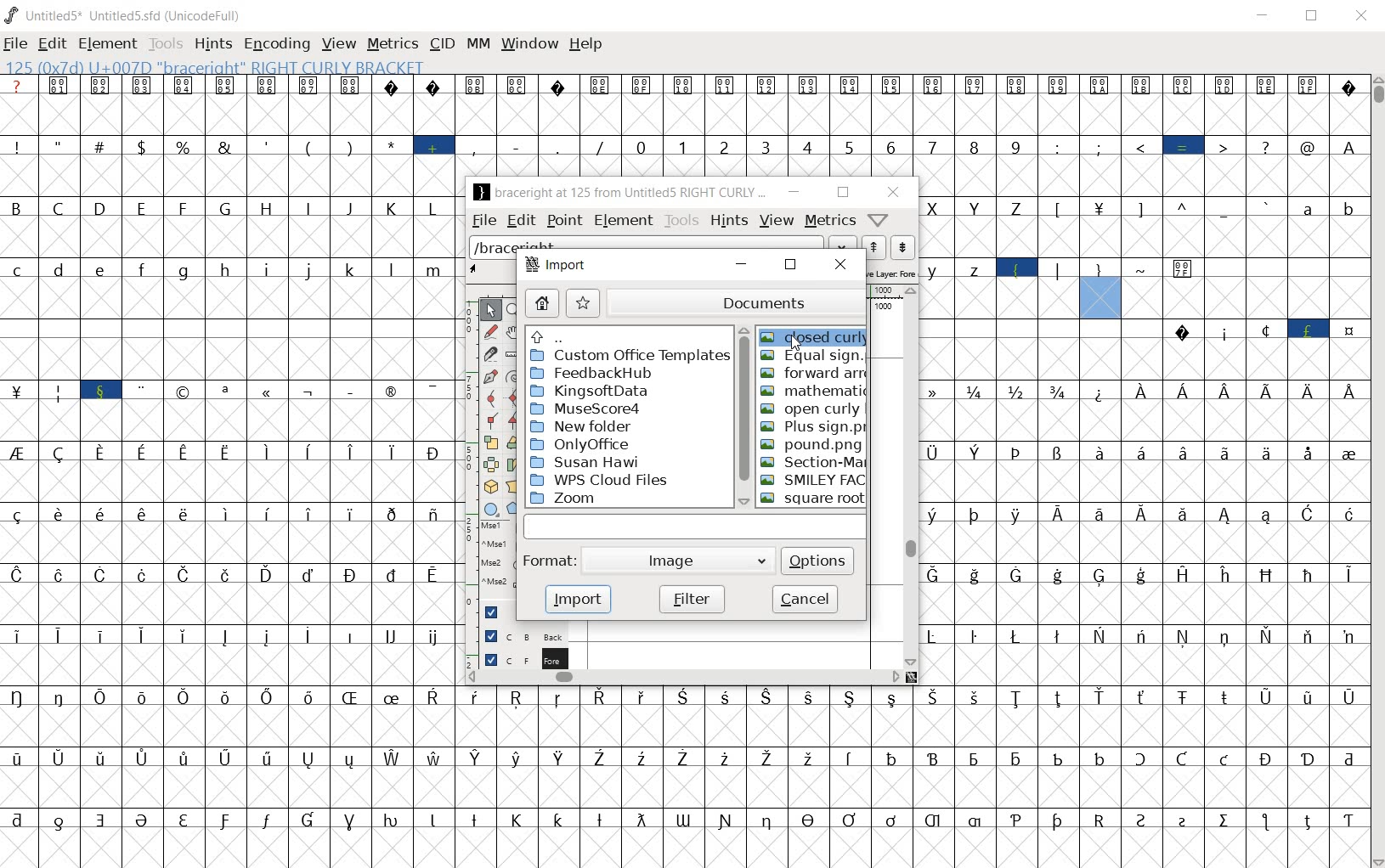  I want to click on glyph characters, so click(913, 126).